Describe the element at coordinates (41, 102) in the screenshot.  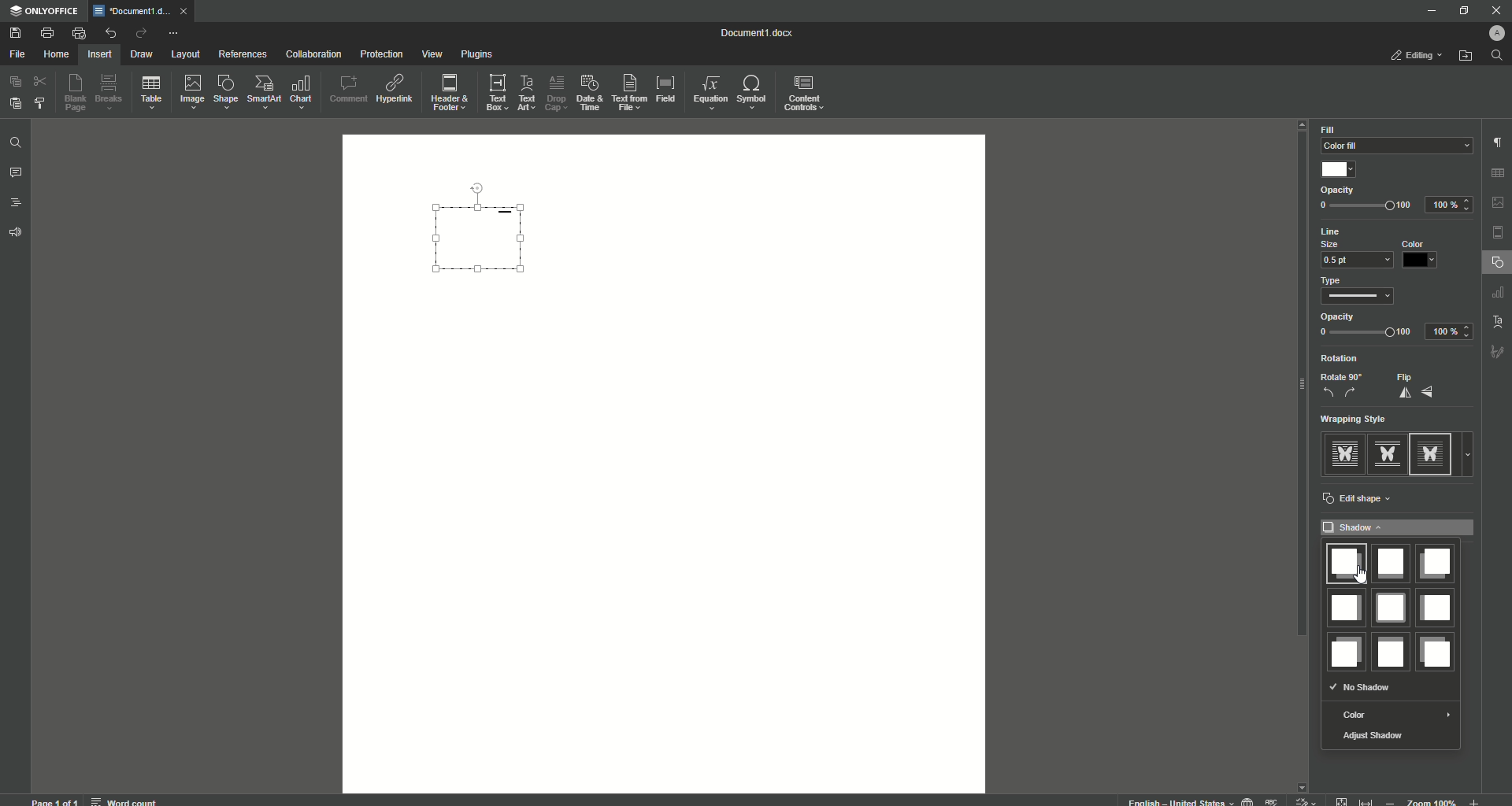
I see `Choose Styles` at that location.